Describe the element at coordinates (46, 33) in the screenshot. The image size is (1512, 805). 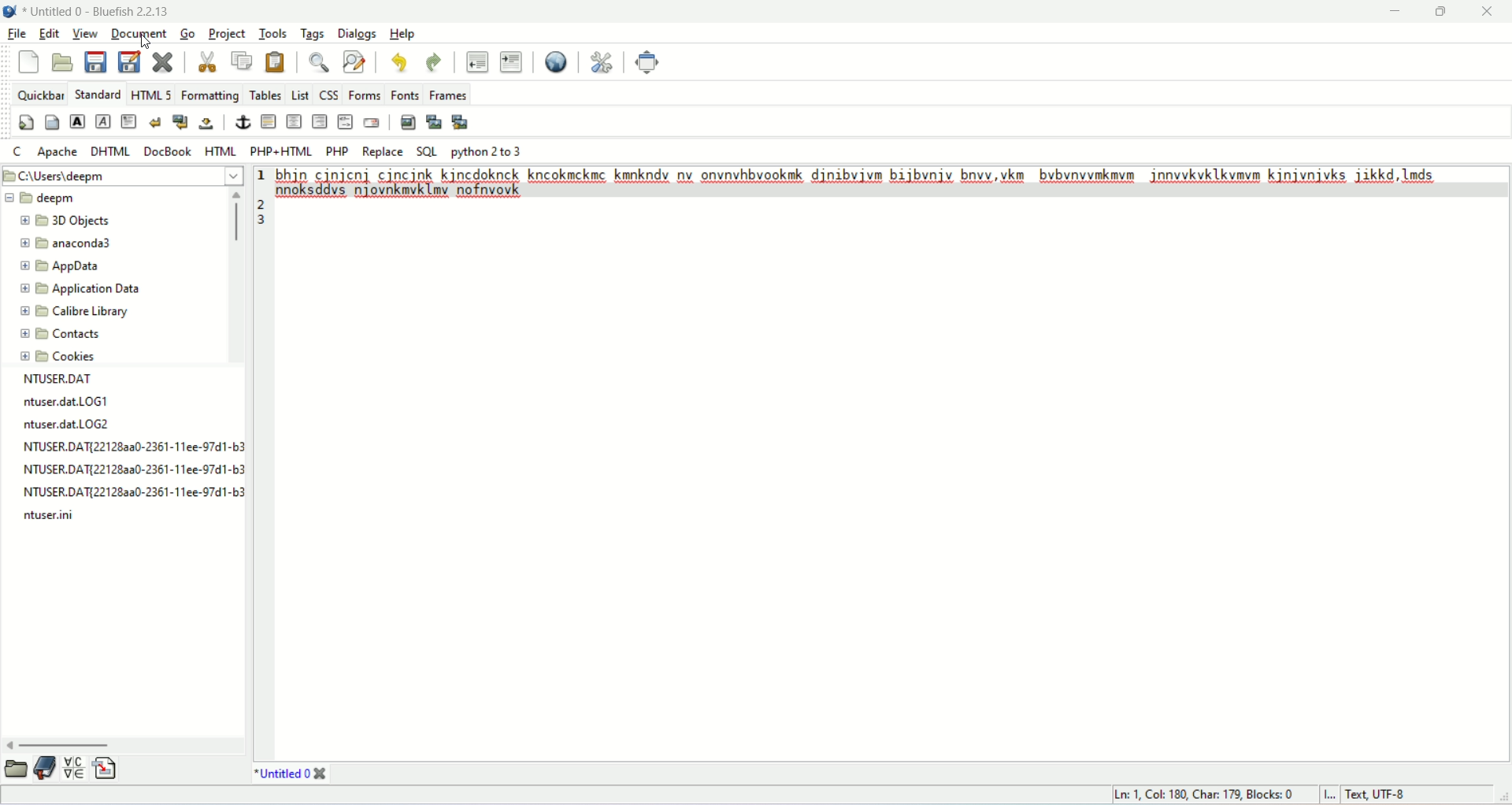
I see `edit` at that location.